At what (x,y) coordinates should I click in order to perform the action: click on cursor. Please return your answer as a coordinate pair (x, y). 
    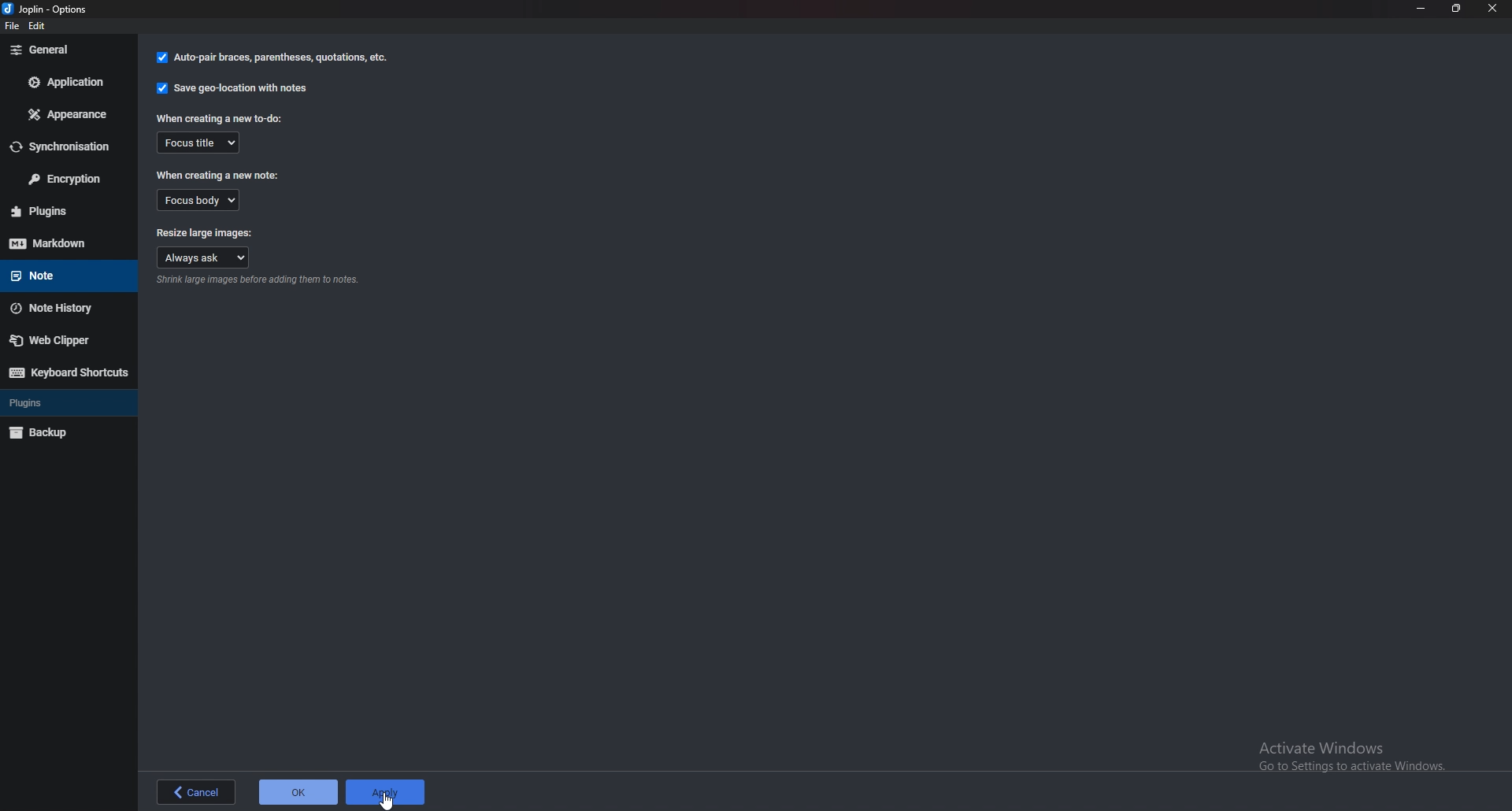
    Looking at the image, I should click on (388, 800).